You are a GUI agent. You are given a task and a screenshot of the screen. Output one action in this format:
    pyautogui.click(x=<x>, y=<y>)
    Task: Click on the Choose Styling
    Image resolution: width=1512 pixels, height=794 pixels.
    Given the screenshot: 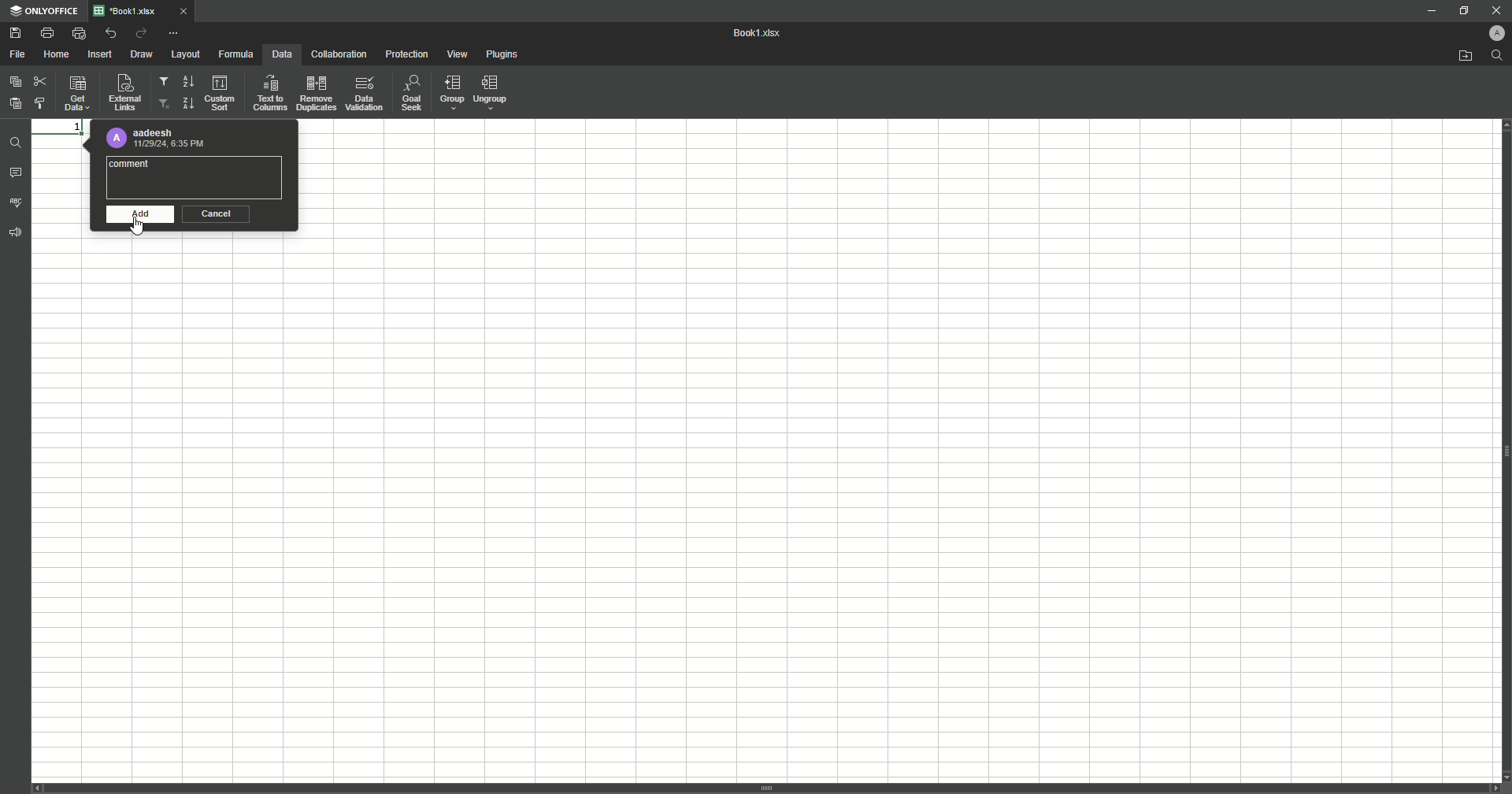 What is the action you would take?
    pyautogui.click(x=43, y=102)
    